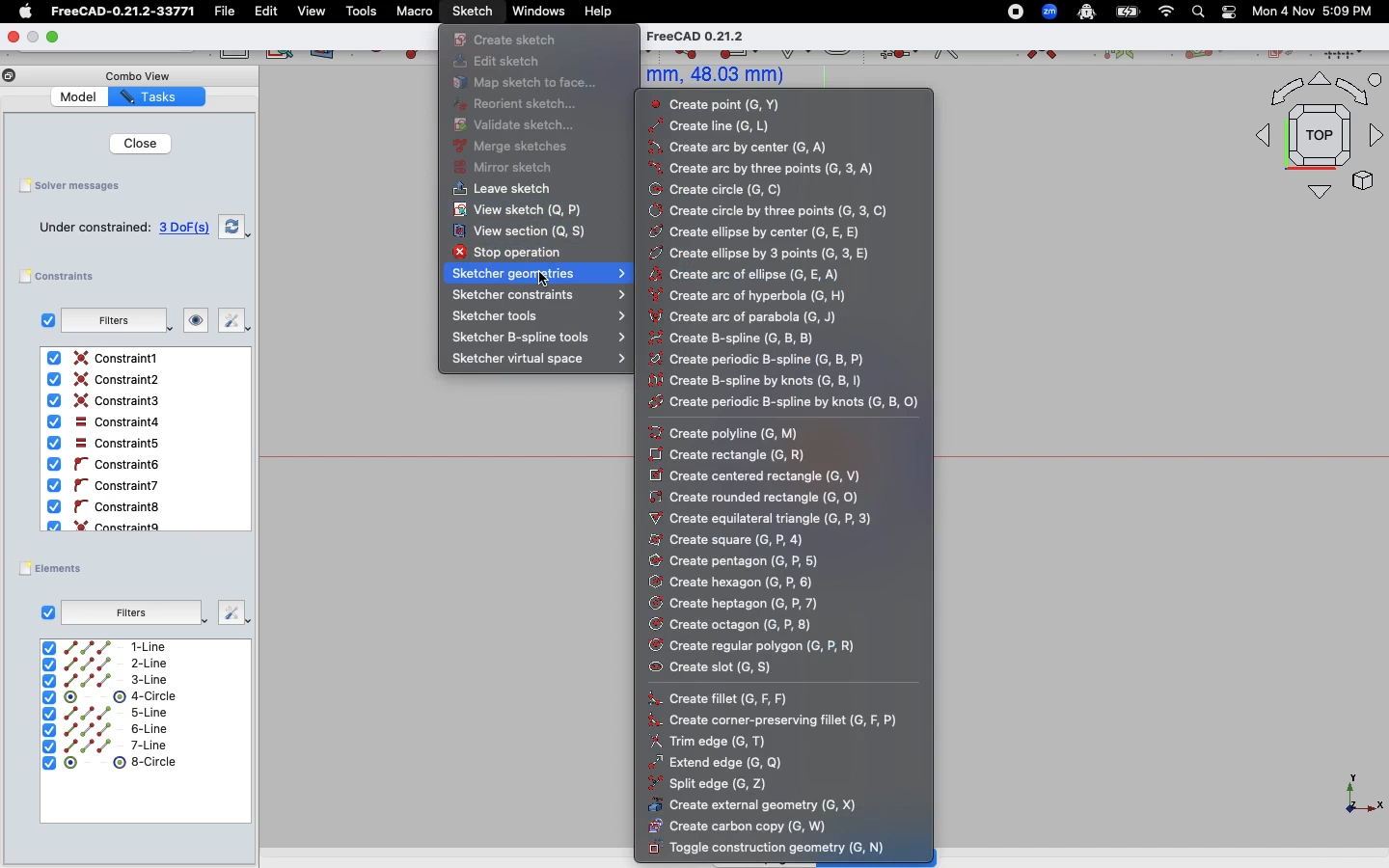 The height and width of the screenshot is (868, 1389). Describe the element at coordinates (726, 667) in the screenshot. I see `Create fillet (G, F, F)` at that location.